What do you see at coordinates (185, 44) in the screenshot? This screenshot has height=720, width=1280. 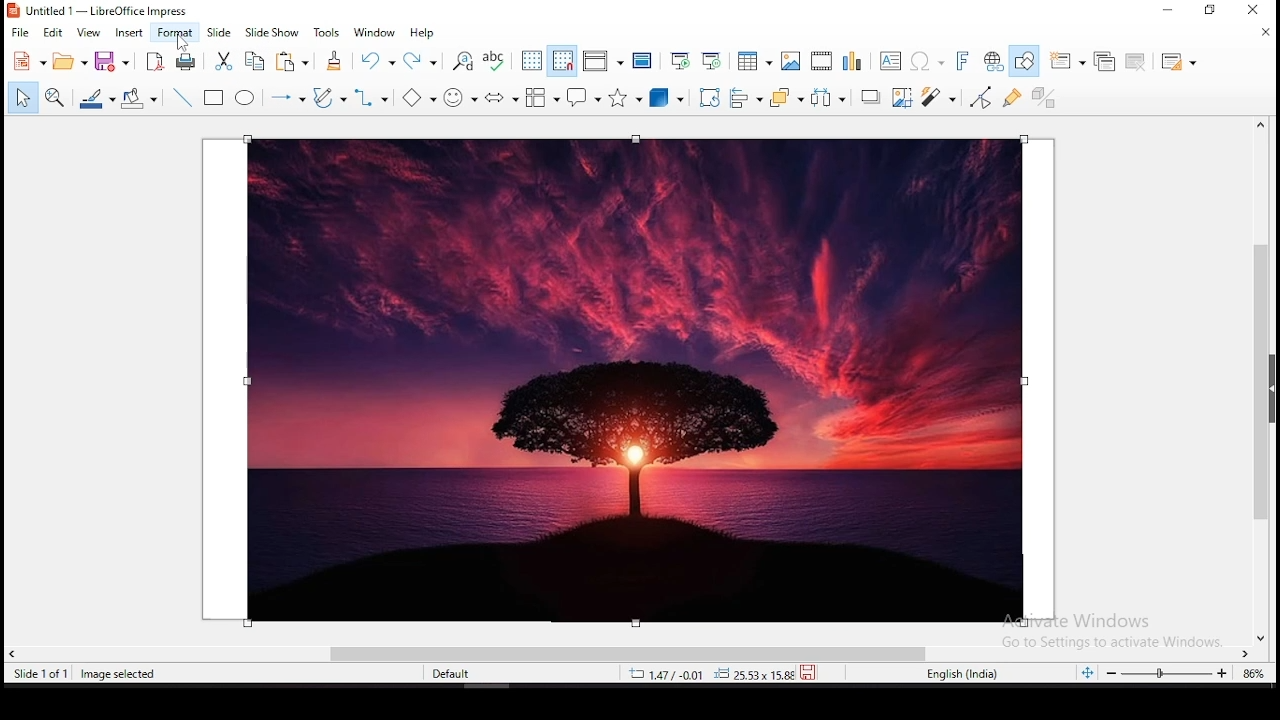 I see `mouse pointer` at bounding box center [185, 44].